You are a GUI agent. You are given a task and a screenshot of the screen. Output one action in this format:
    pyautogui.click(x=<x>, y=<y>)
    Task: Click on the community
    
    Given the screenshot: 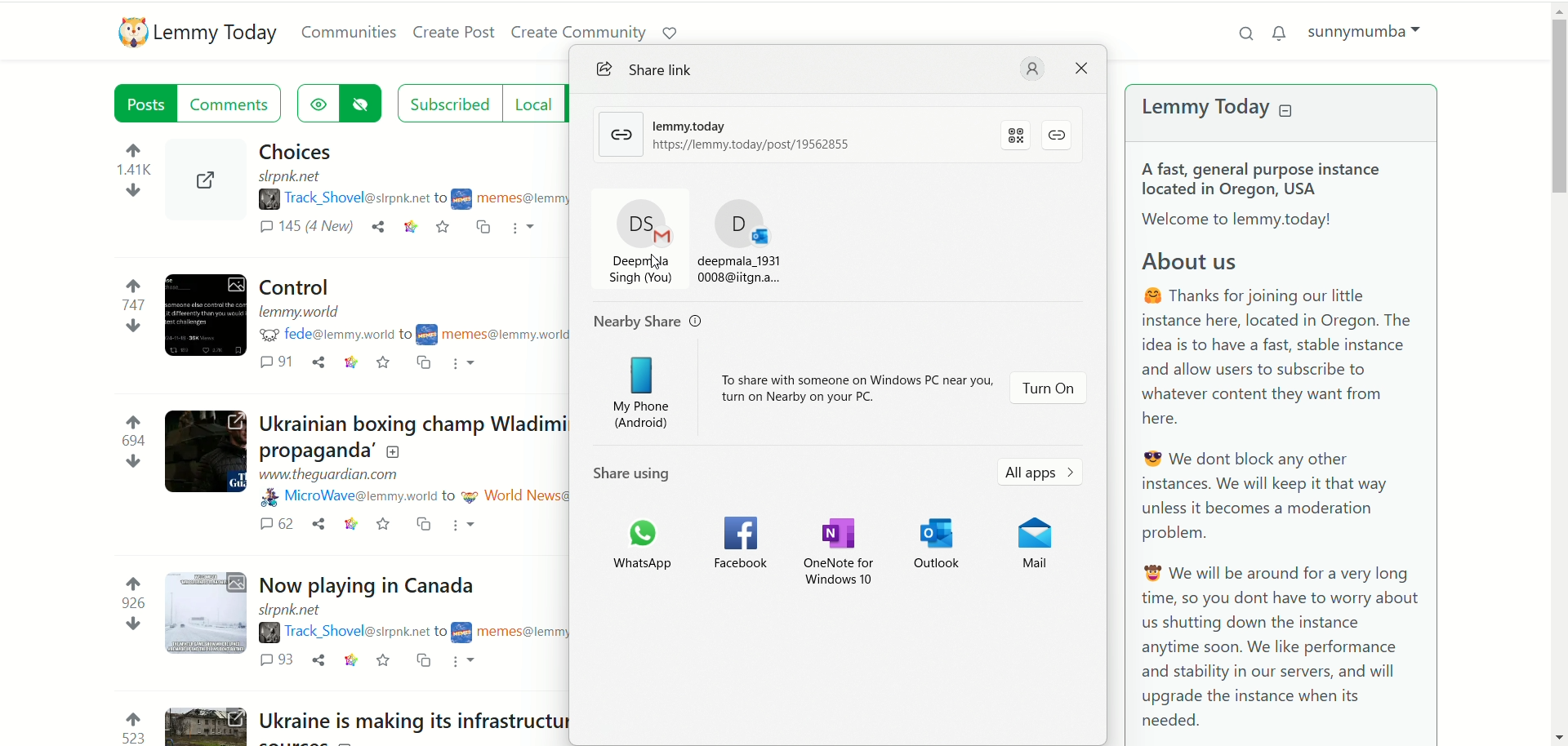 What is the action you would take?
    pyautogui.click(x=514, y=497)
    